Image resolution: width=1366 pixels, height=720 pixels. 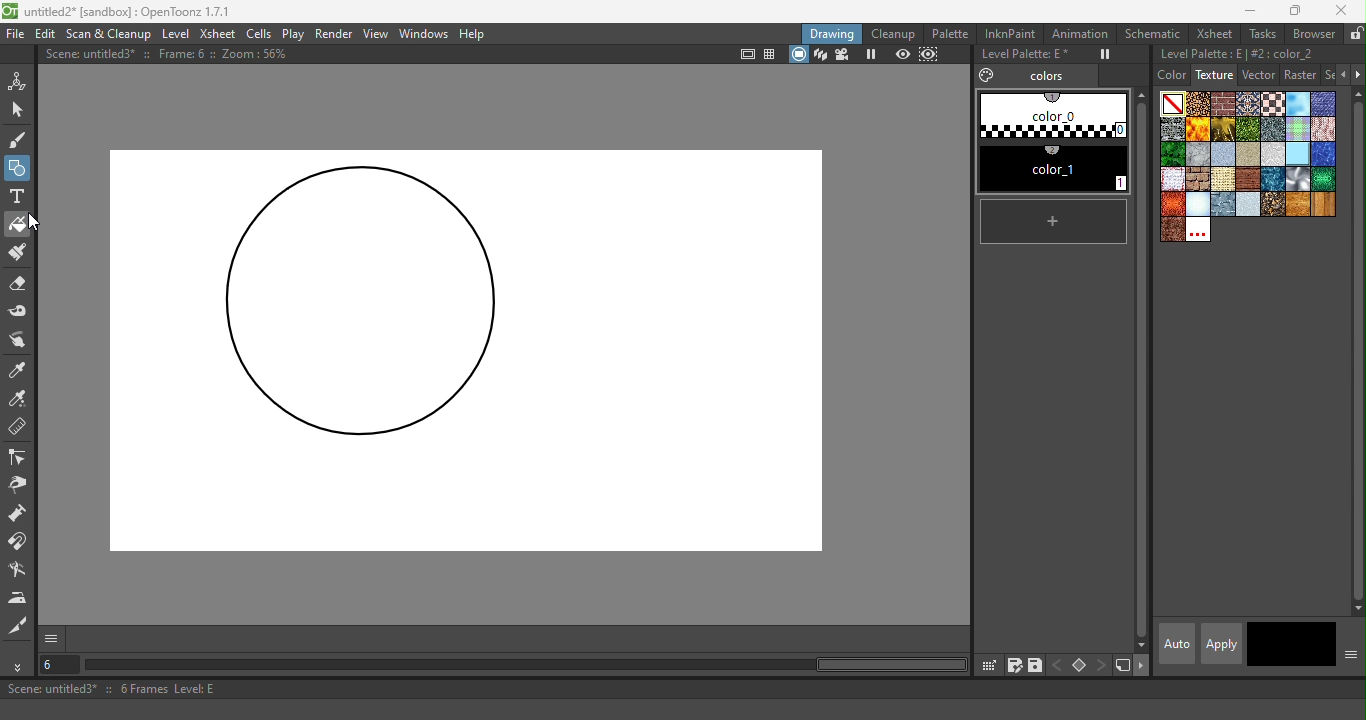 I want to click on marble.bmp, so click(x=1198, y=154).